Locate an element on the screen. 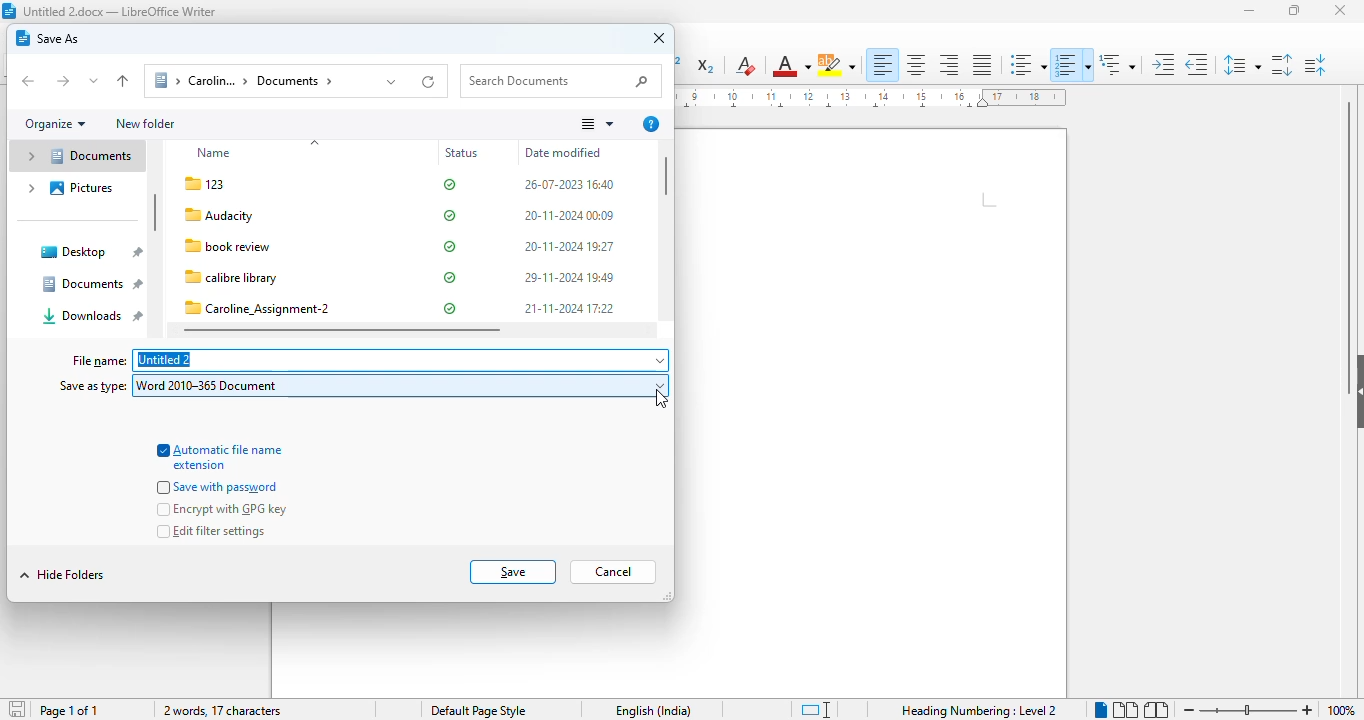 The image size is (1364, 720). decrease indent is located at coordinates (1197, 64).